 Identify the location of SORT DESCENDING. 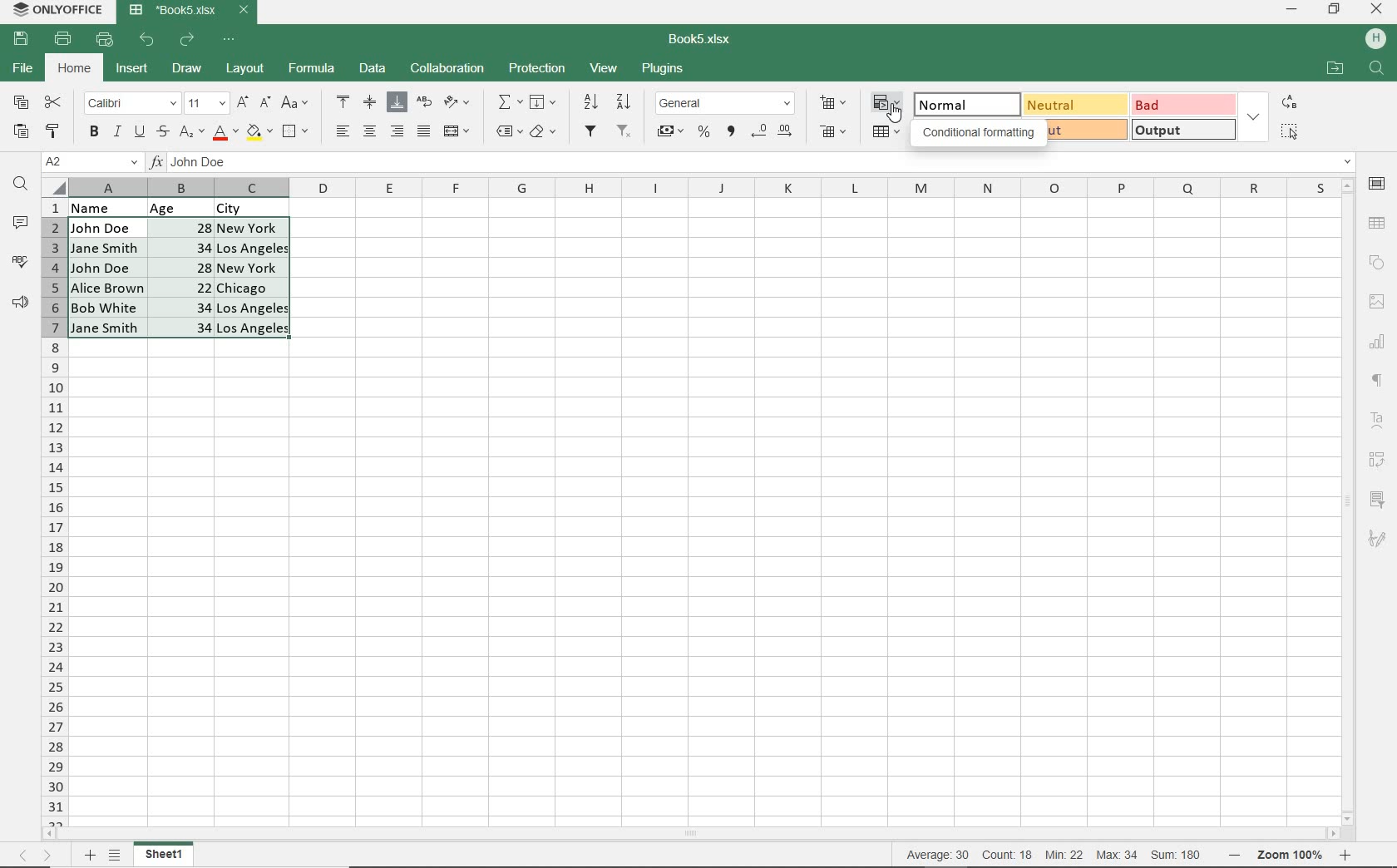
(625, 101).